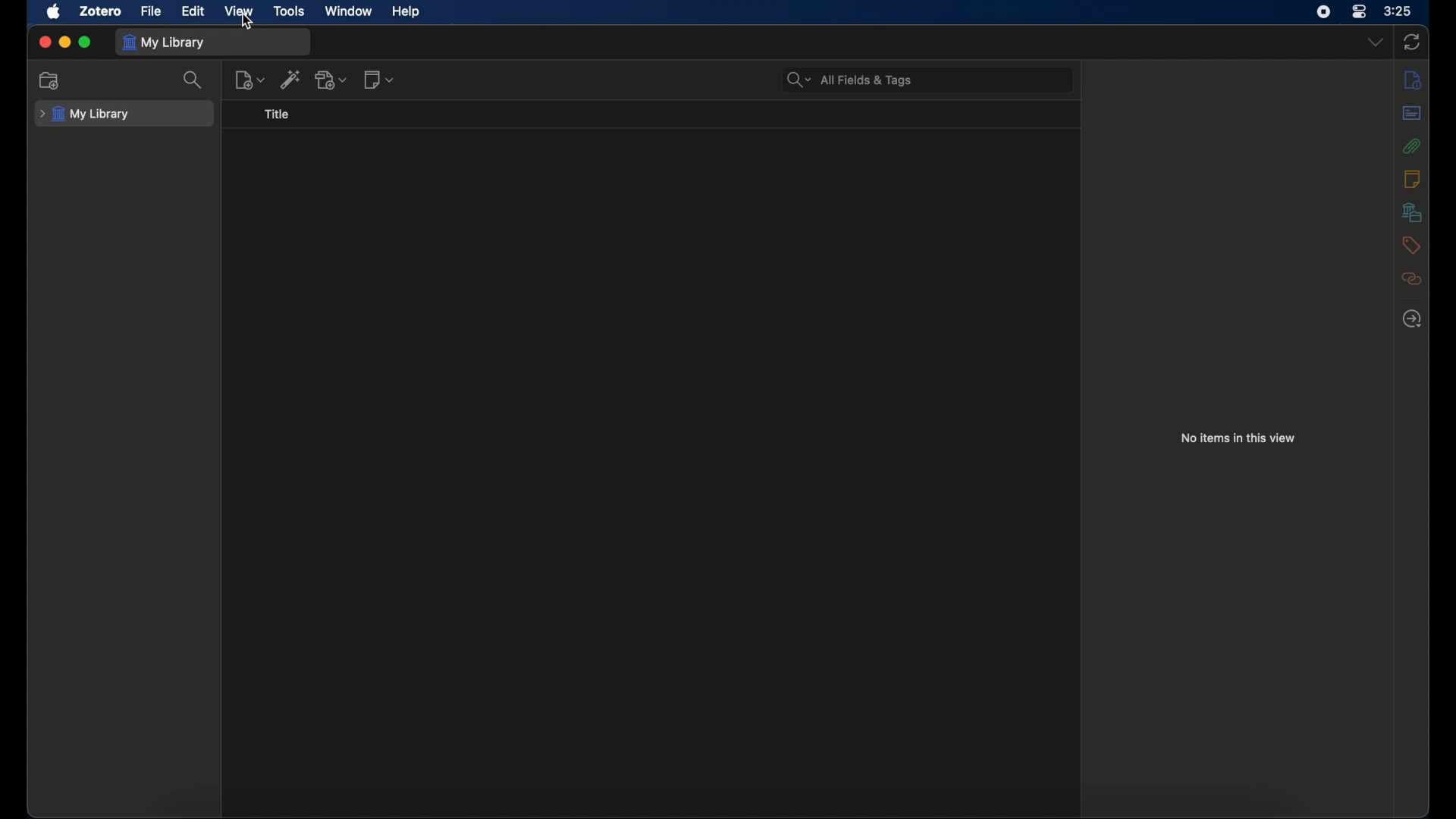 The height and width of the screenshot is (819, 1456). What do you see at coordinates (101, 11) in the screenshot?
I see `zotero` at bounding box center [101, 11].